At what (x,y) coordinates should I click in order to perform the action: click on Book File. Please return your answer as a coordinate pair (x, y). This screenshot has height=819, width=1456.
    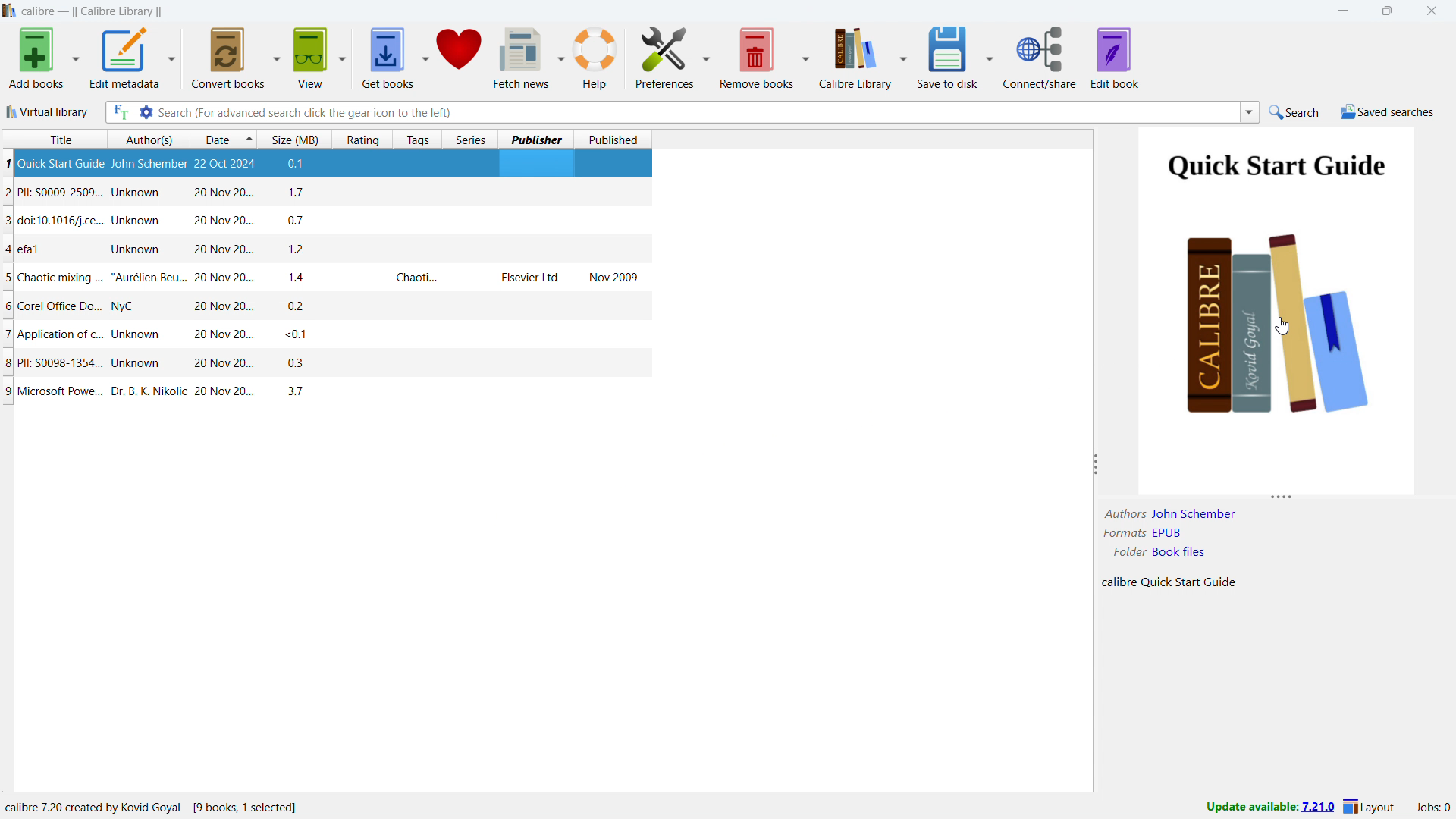
    Looking at the image, I should click on (1180, 551).